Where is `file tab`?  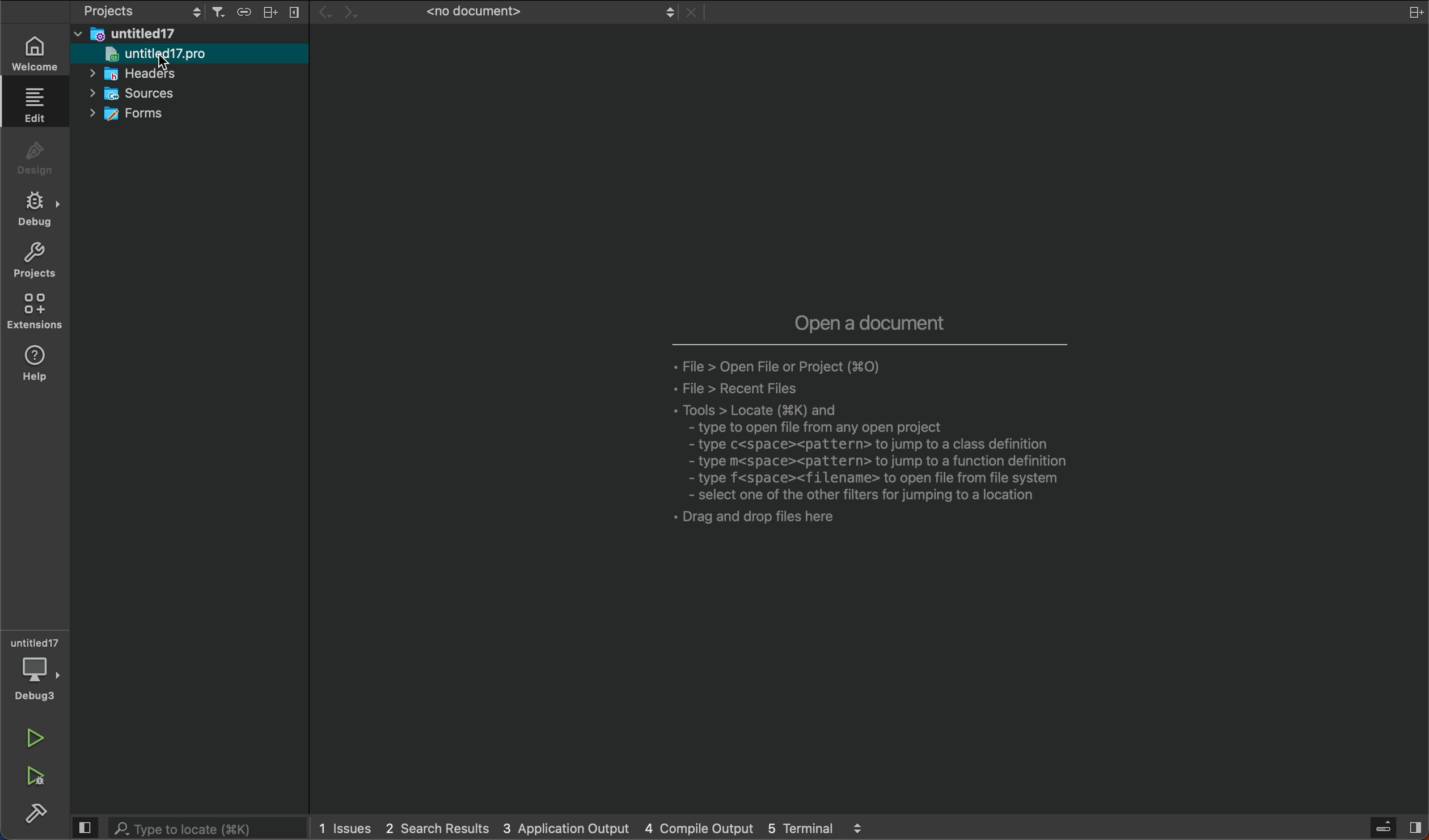
file tab is located at coordinates (536, 13).